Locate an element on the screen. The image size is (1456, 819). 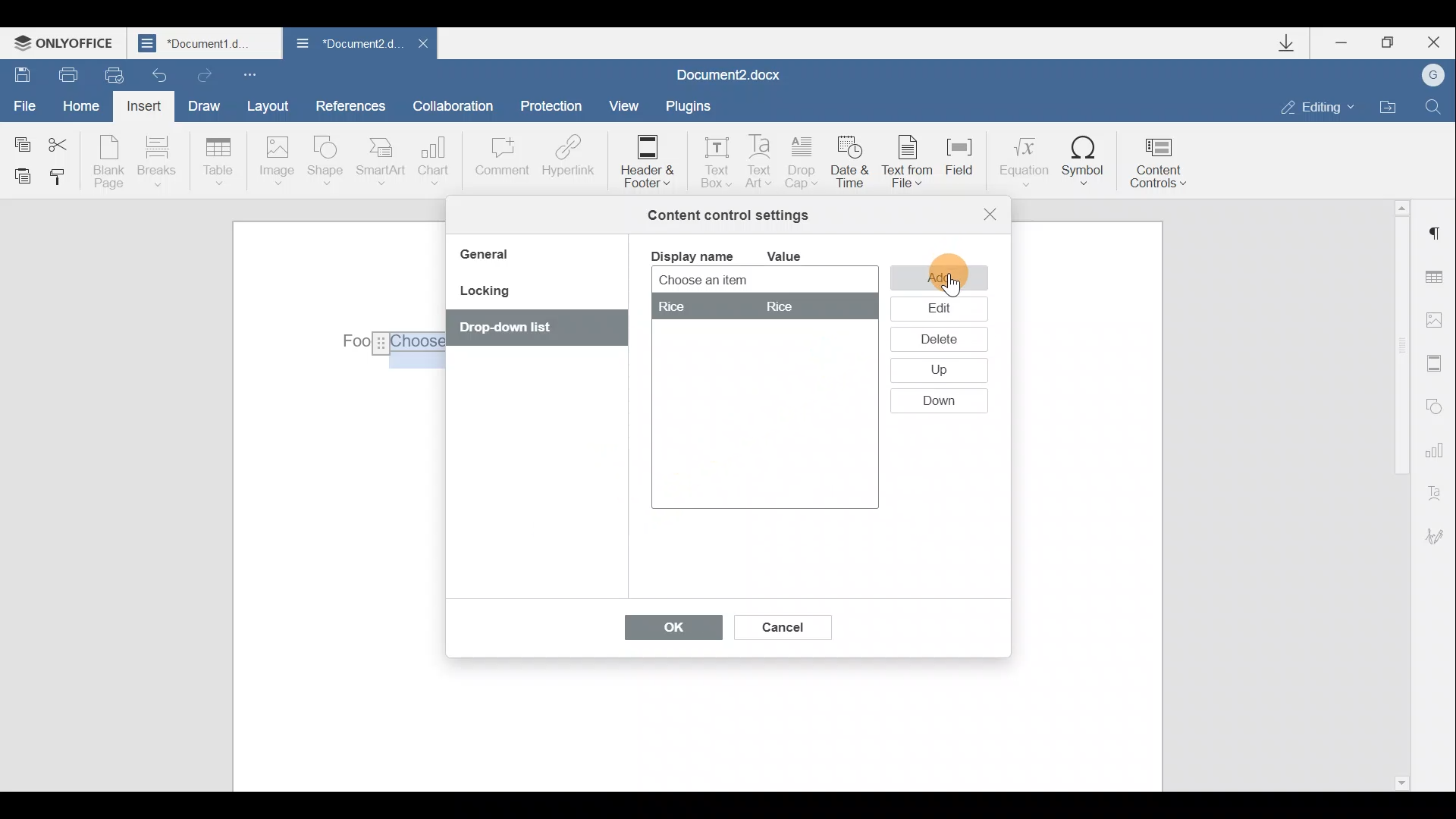
Home is located at coordinates (86, 108).